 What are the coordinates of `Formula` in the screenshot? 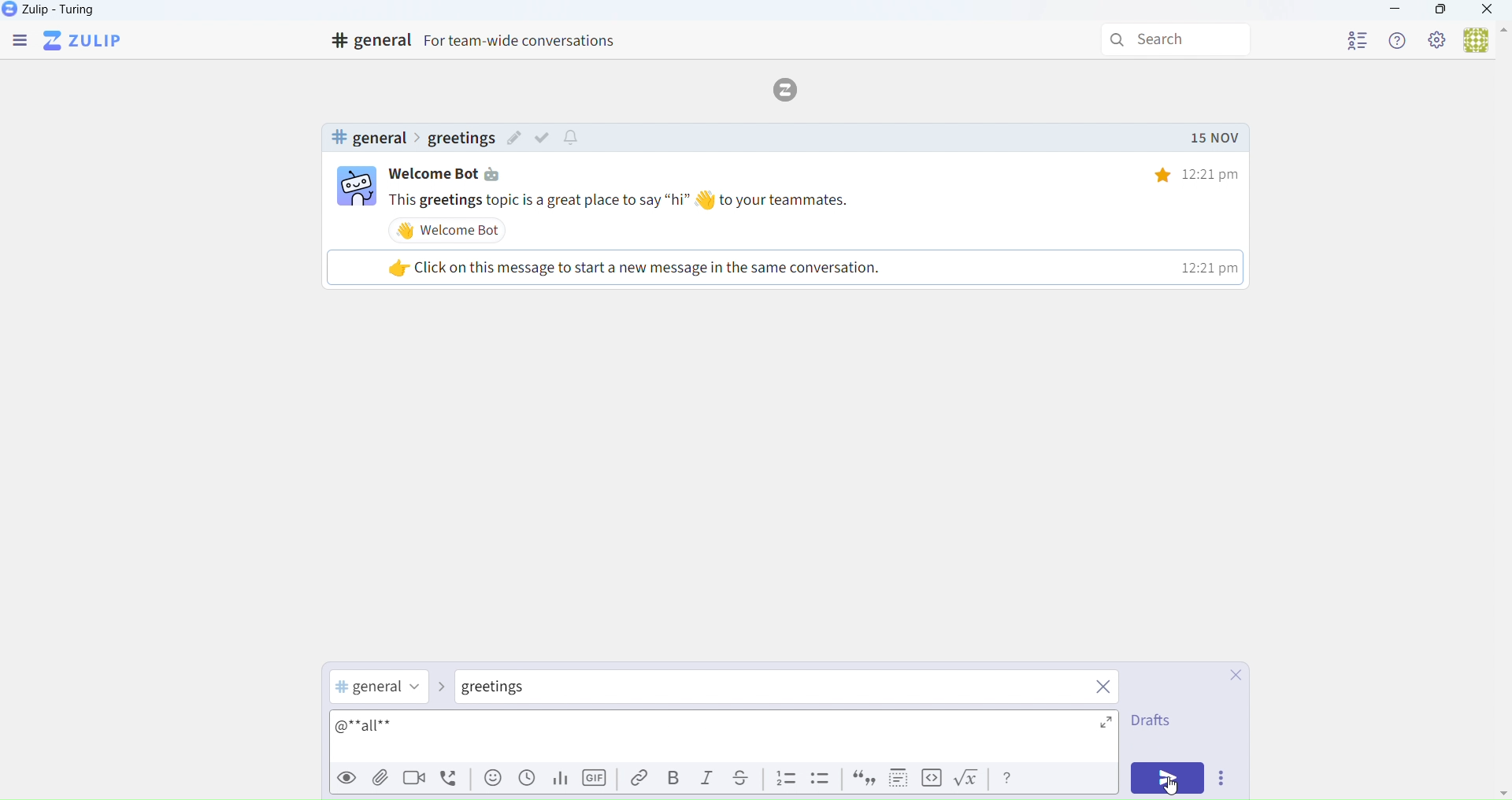 It's located at (970, 781).